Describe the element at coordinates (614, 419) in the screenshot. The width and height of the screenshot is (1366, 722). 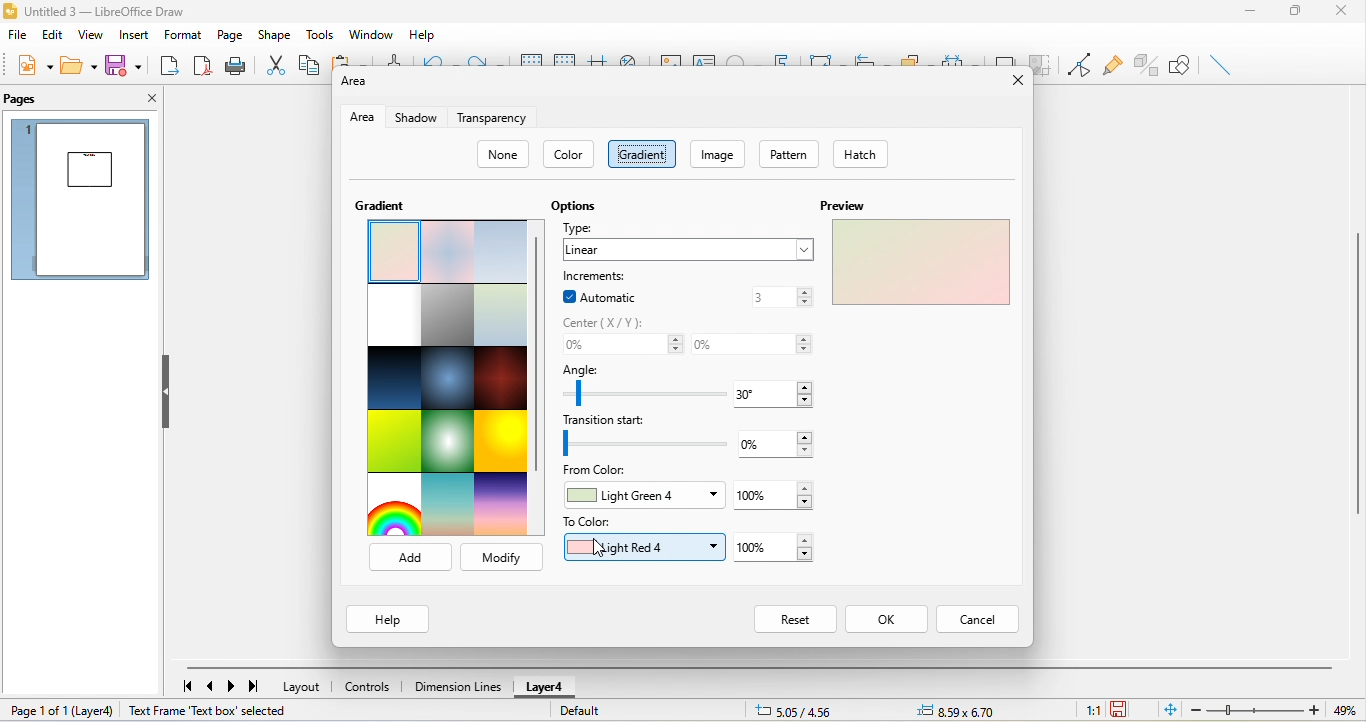
I see `transition start` at that location.